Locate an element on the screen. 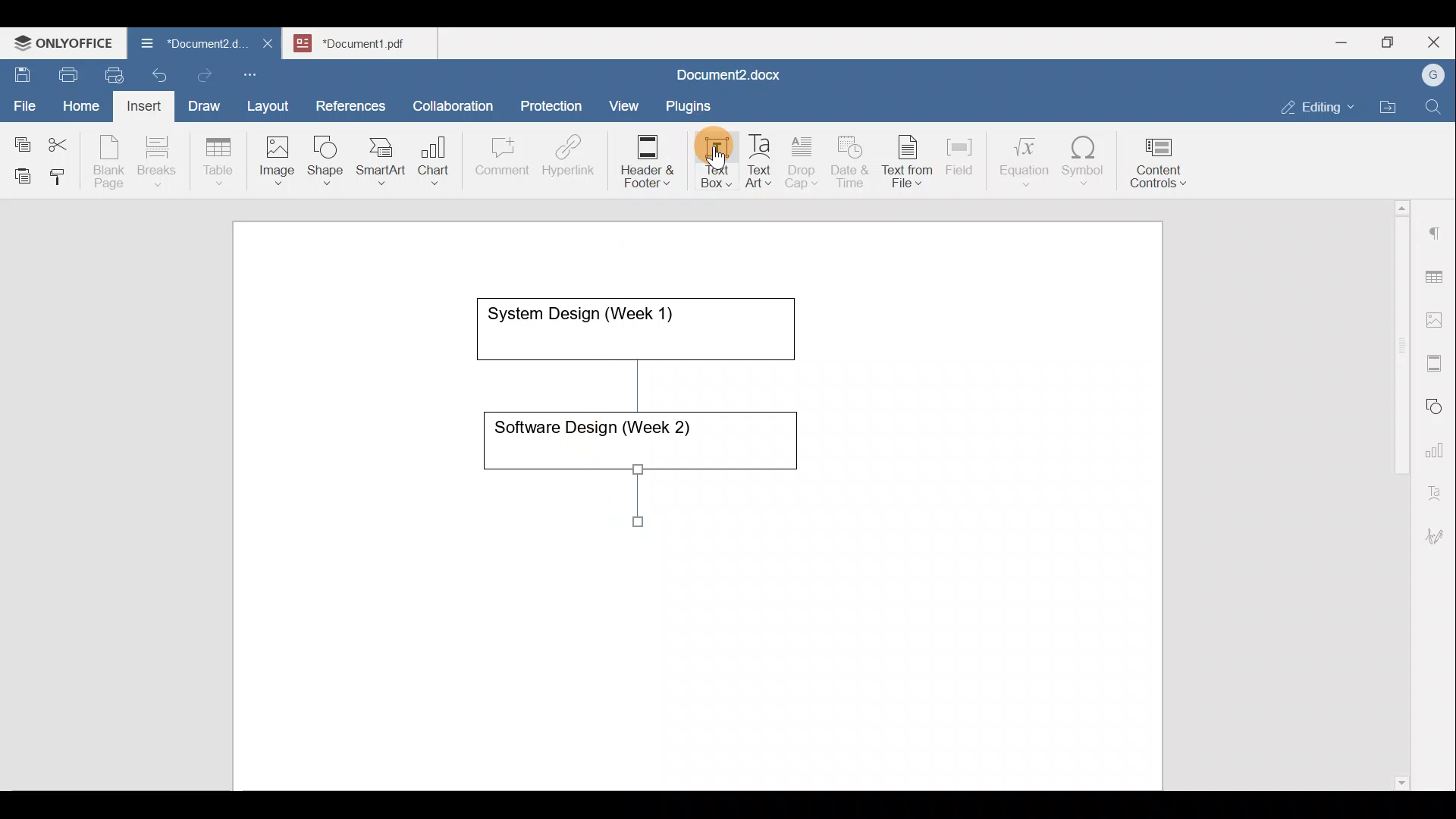 This screenshot has height=819, width=1456. Chart is located at coordinates (431, 162).